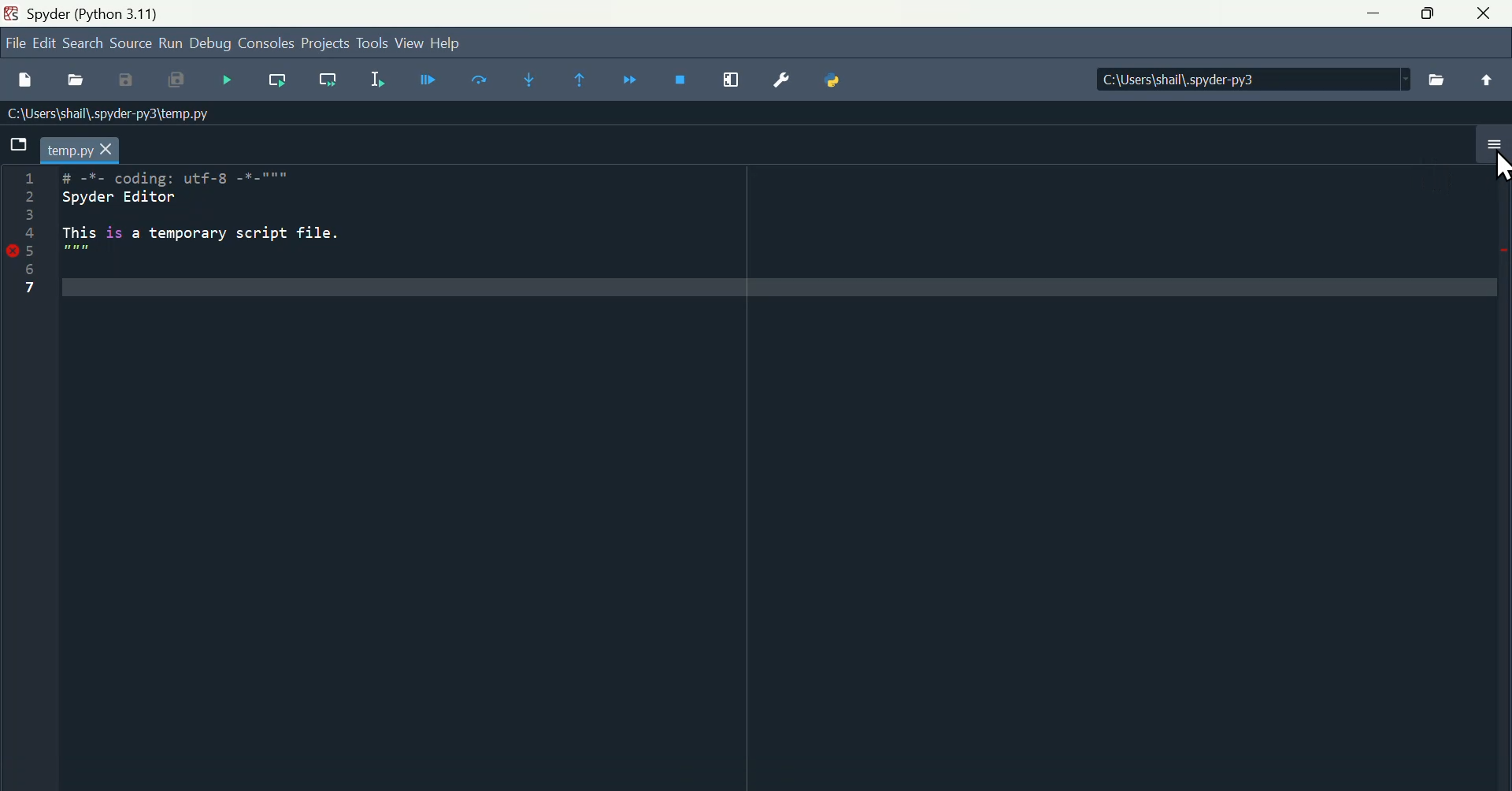  What do you see at coordinates (231, 81) in the screenshot?
I see `Debug file` at bounding box center [231, 81].